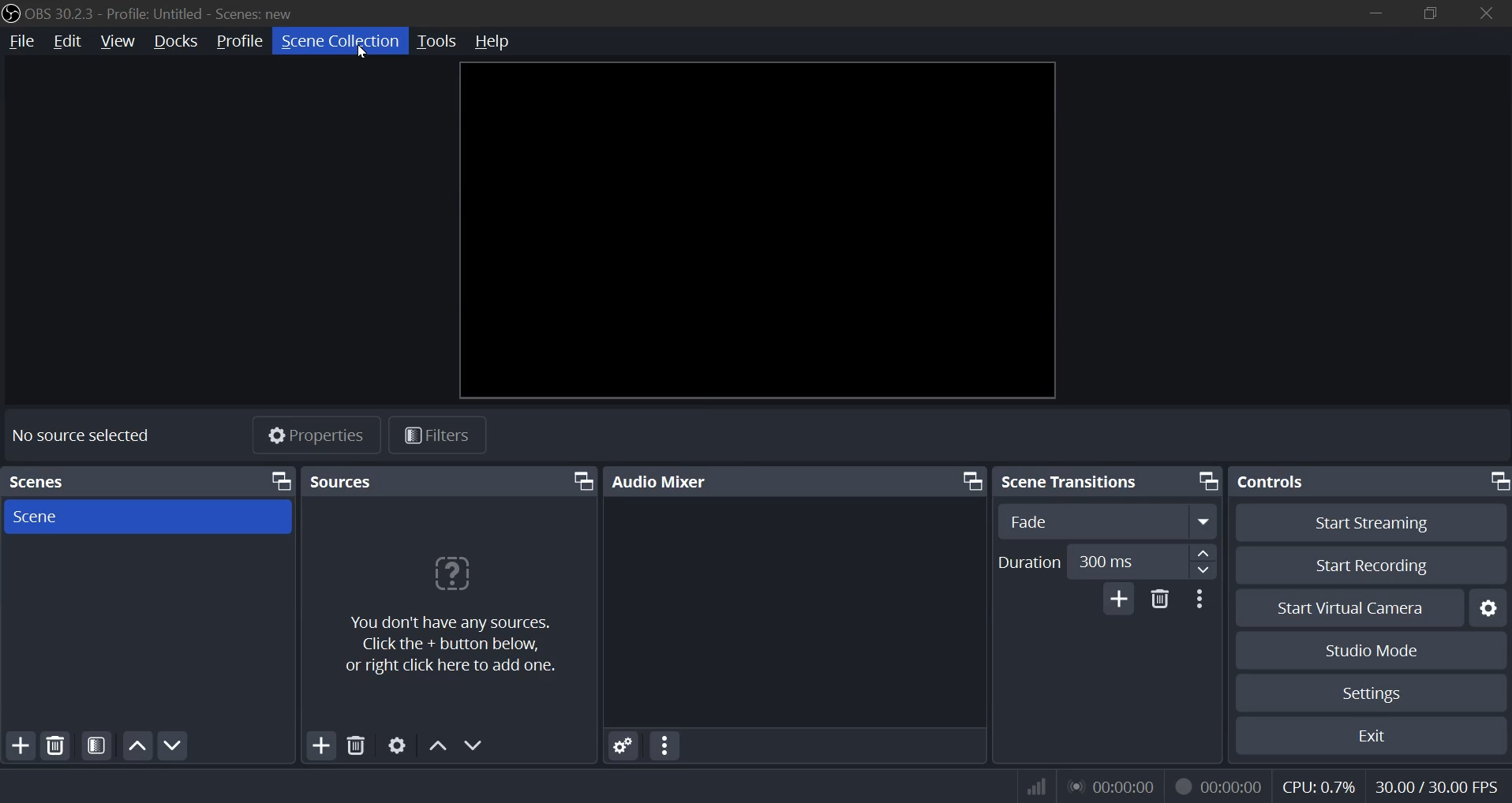 The image size is (1512, 803). What do you see at coordinates (1160, 602) in the screenshot?
I see `delete` at bounding box center [1160, 602].